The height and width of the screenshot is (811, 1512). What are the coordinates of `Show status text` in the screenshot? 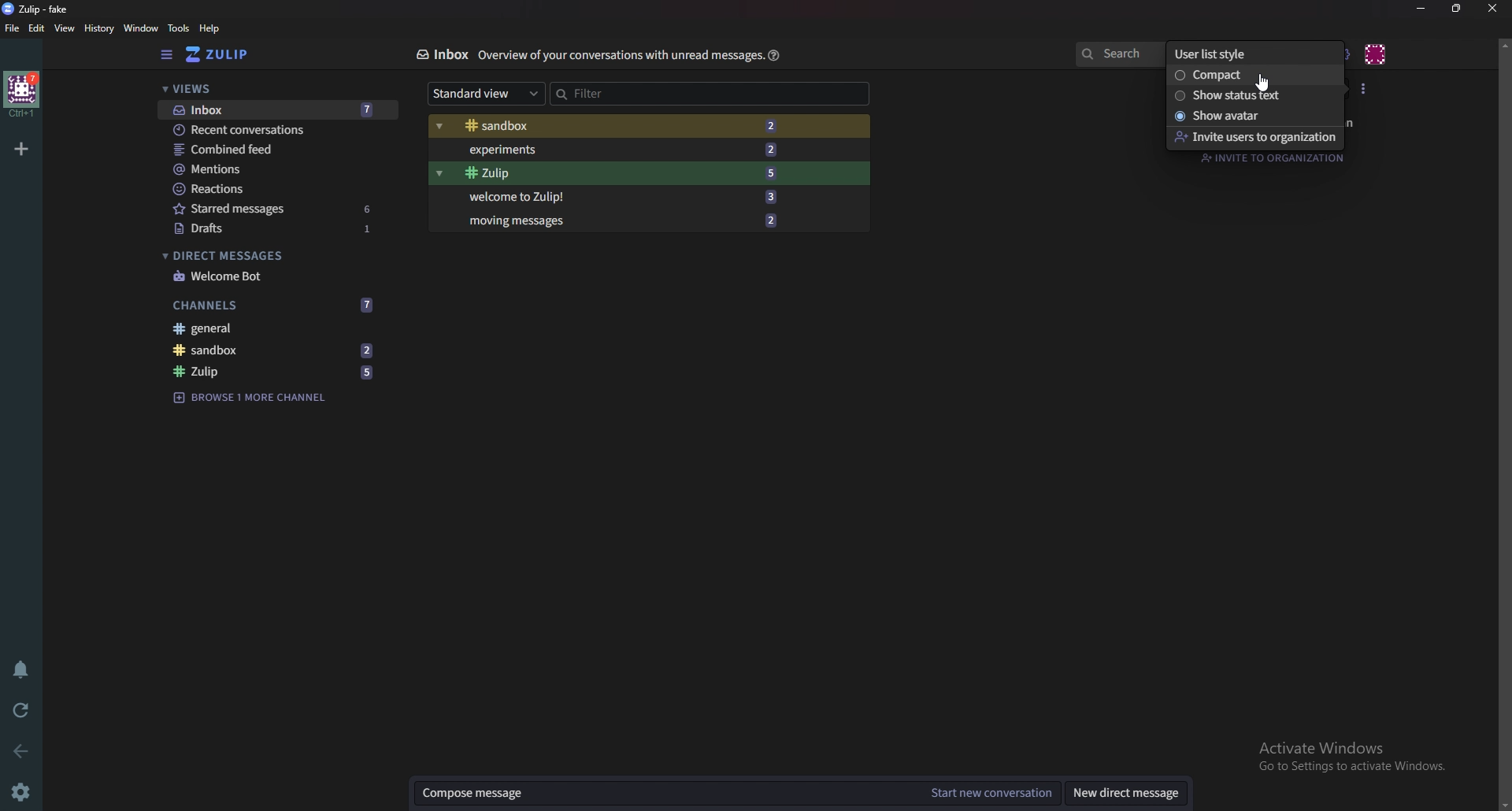 It's located at (1252, 95).